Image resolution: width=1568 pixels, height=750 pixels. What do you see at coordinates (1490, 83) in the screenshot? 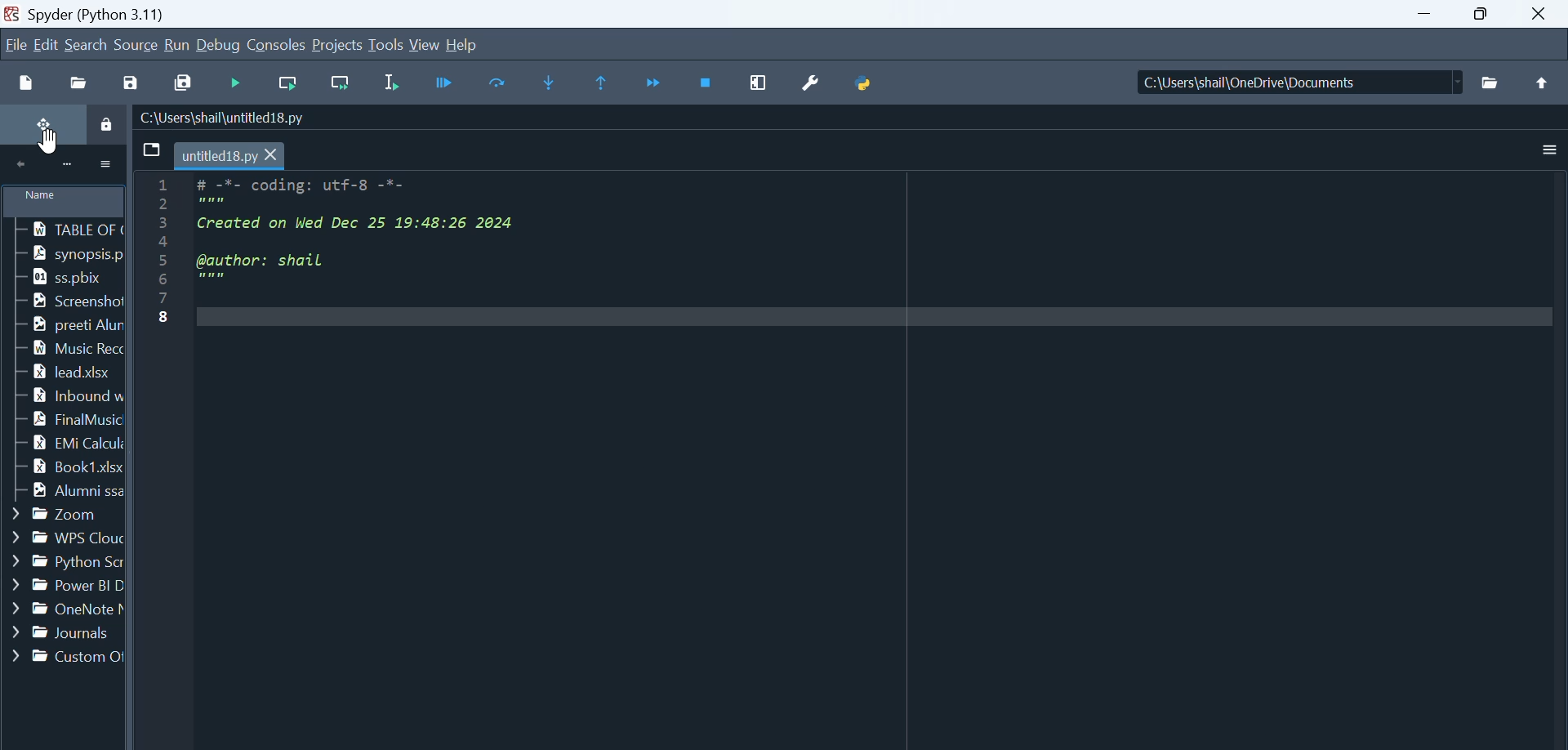
I see `open directory` at bounding box center [1490, 83].